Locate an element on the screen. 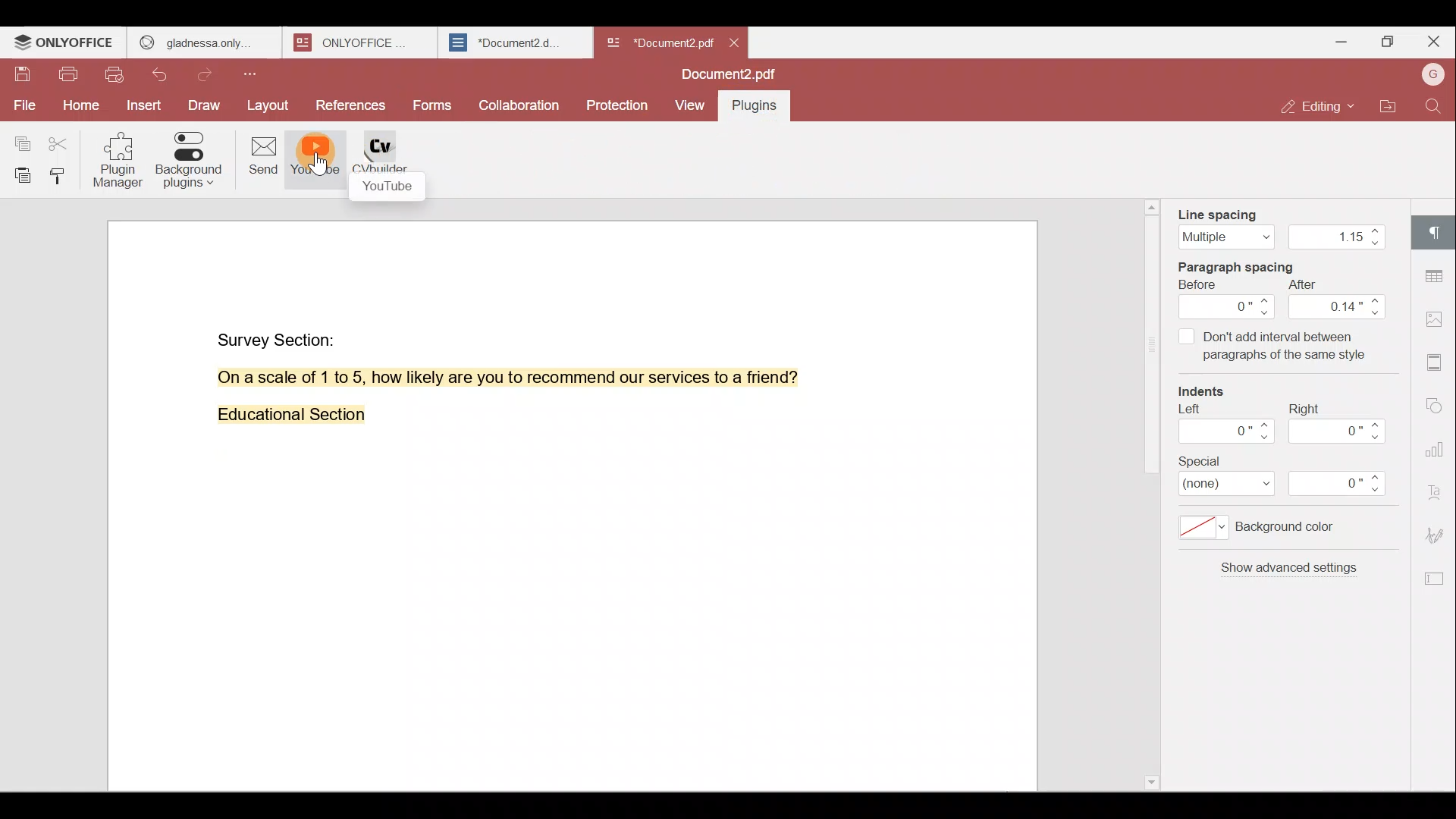 The width and height of the screenshot is (1456, 819). Chart settings is located at coordinates (1439, 441).